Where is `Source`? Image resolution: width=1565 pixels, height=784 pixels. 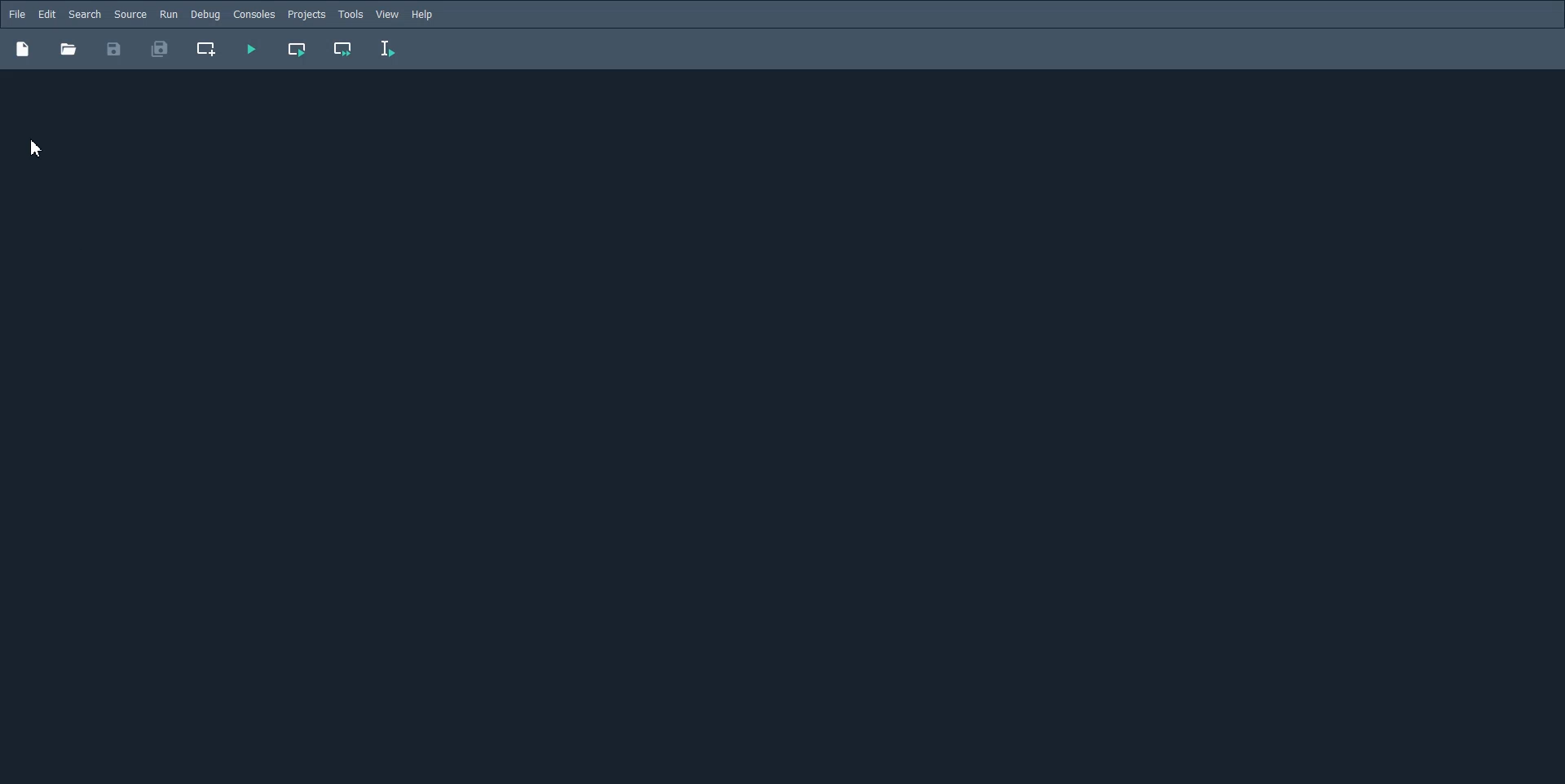 Source is located at coordinates (130, 14).